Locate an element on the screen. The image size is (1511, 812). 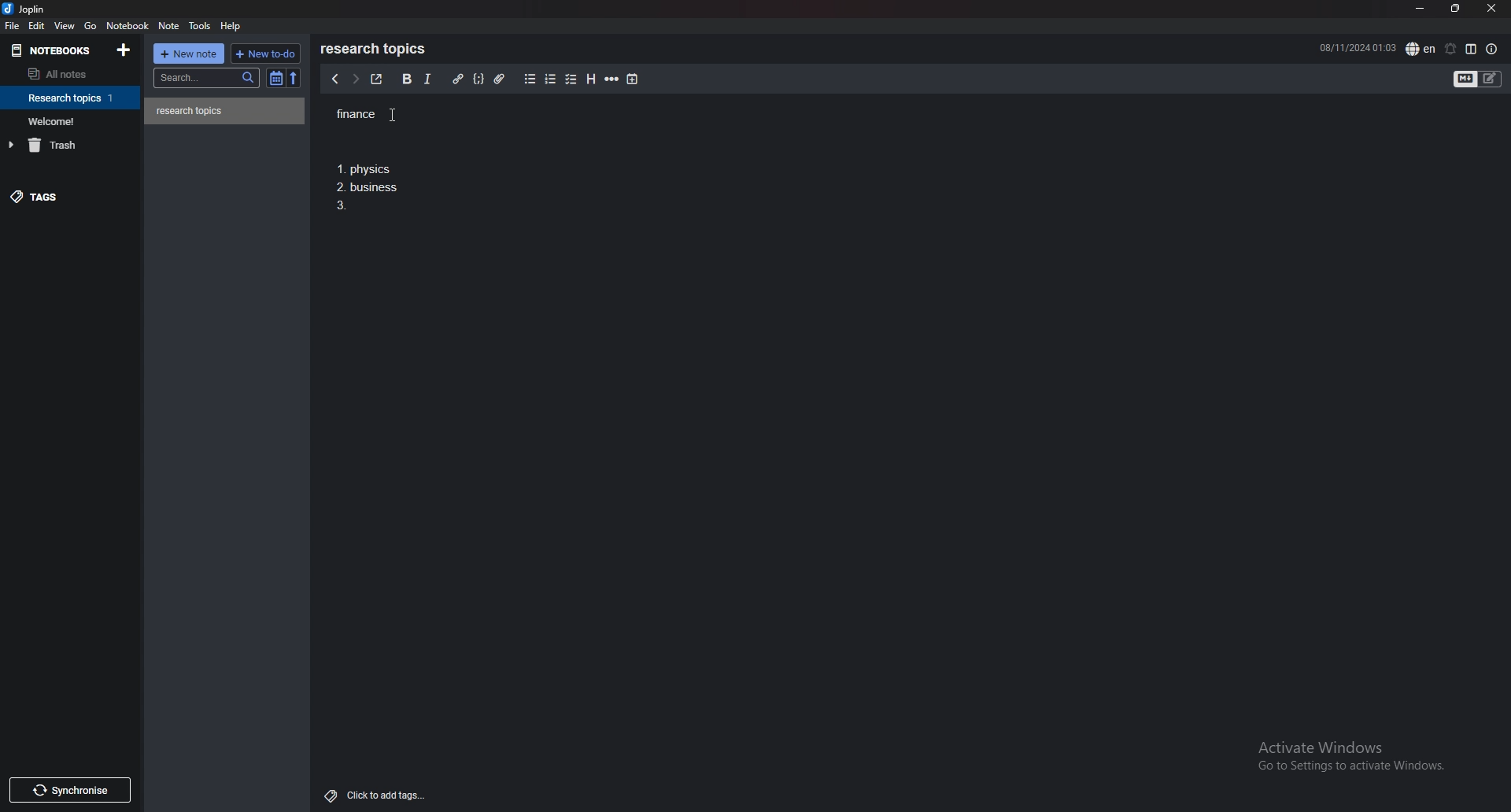
new todo is located at coordinates (265, 53).